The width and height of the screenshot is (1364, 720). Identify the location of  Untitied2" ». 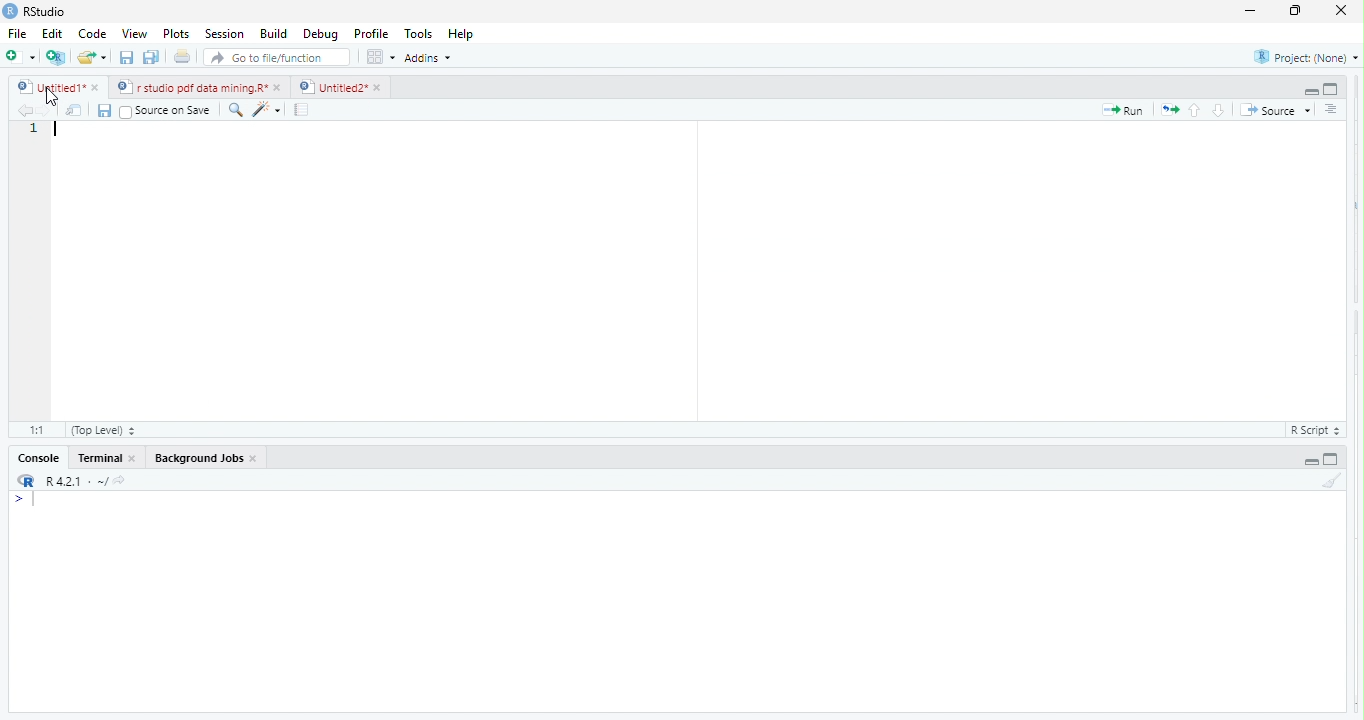
(337, 88).